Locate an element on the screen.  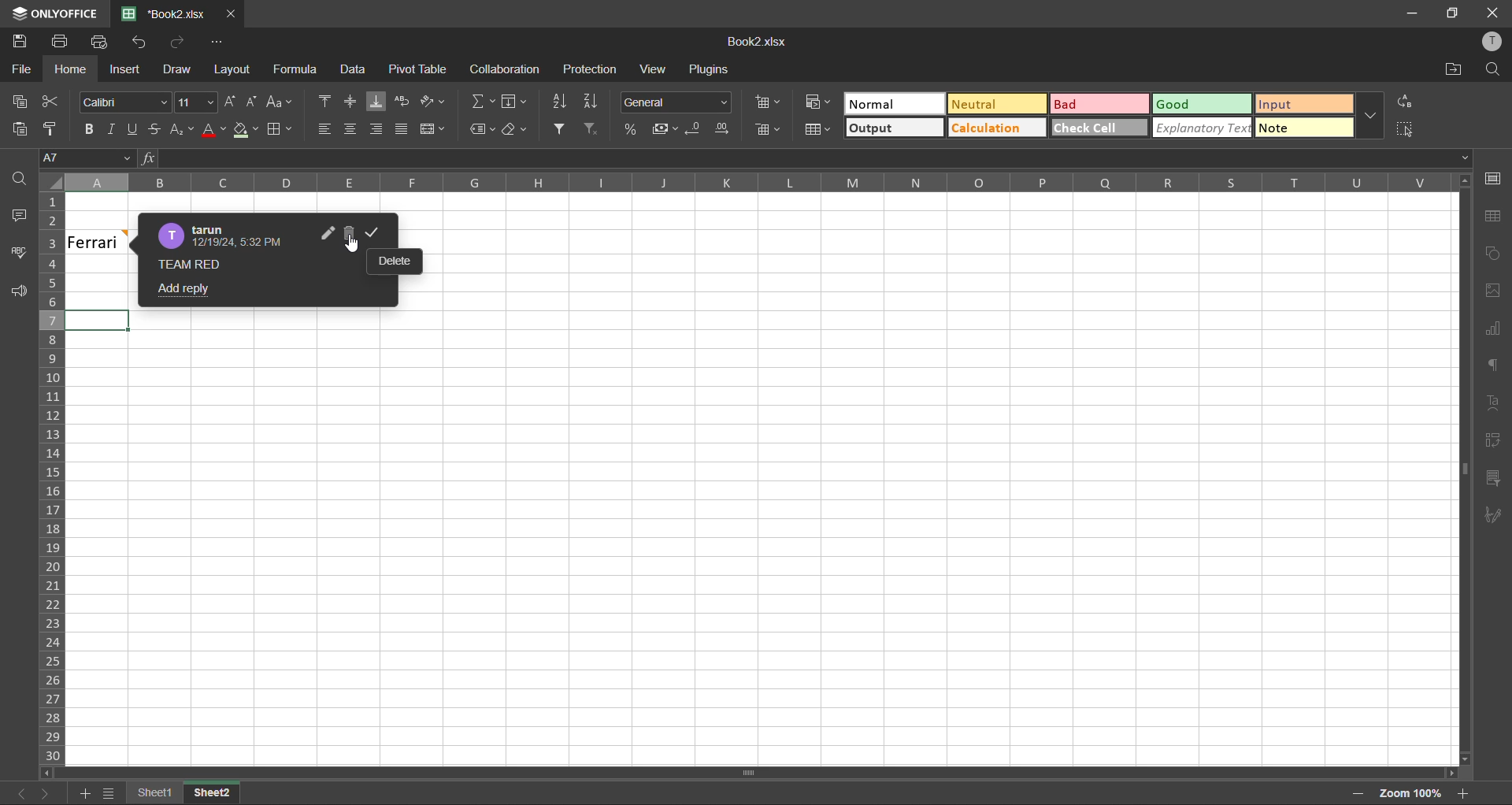
charts is located at coordinates (1493, 331).